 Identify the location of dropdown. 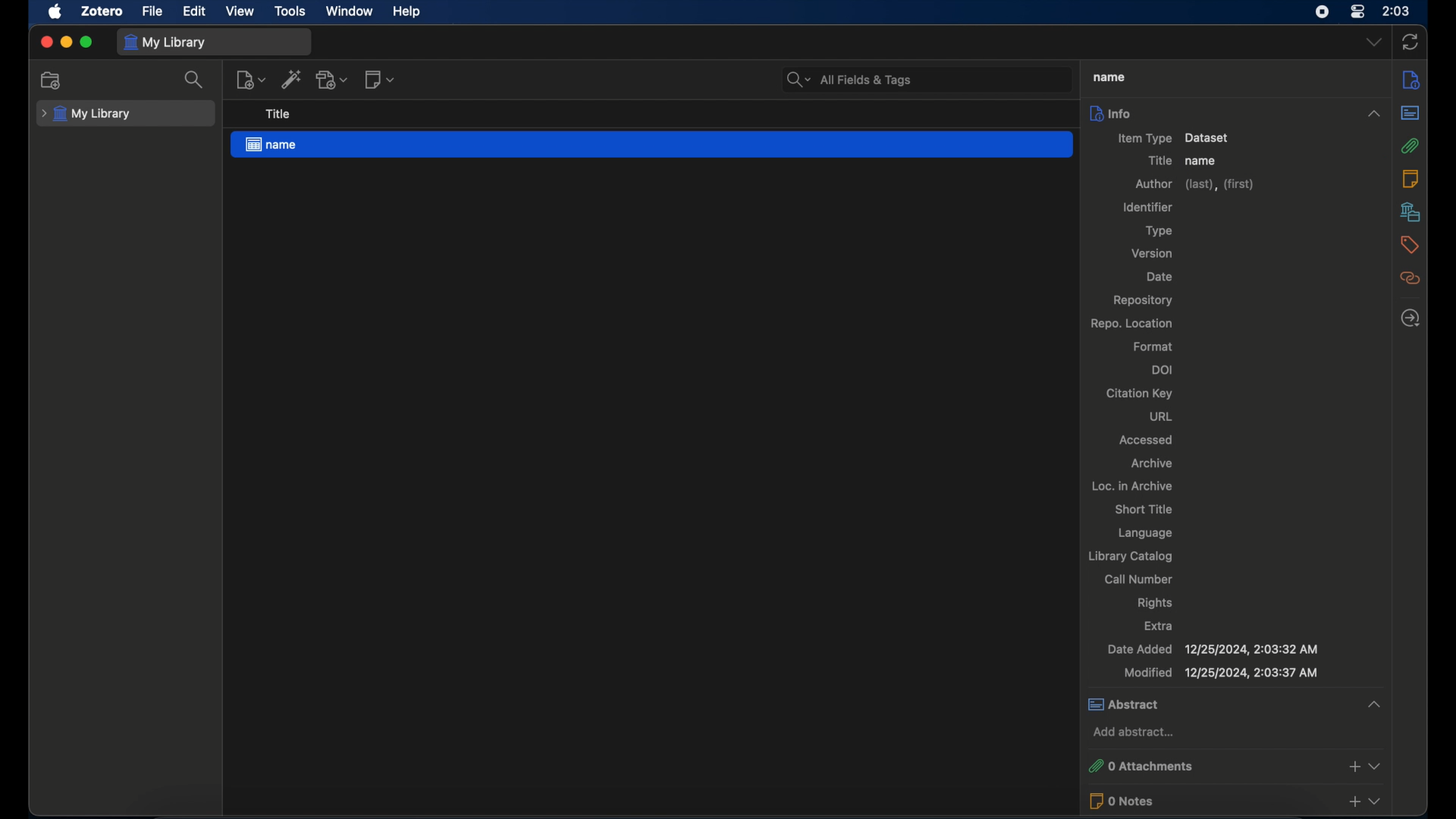
(1375, 41).